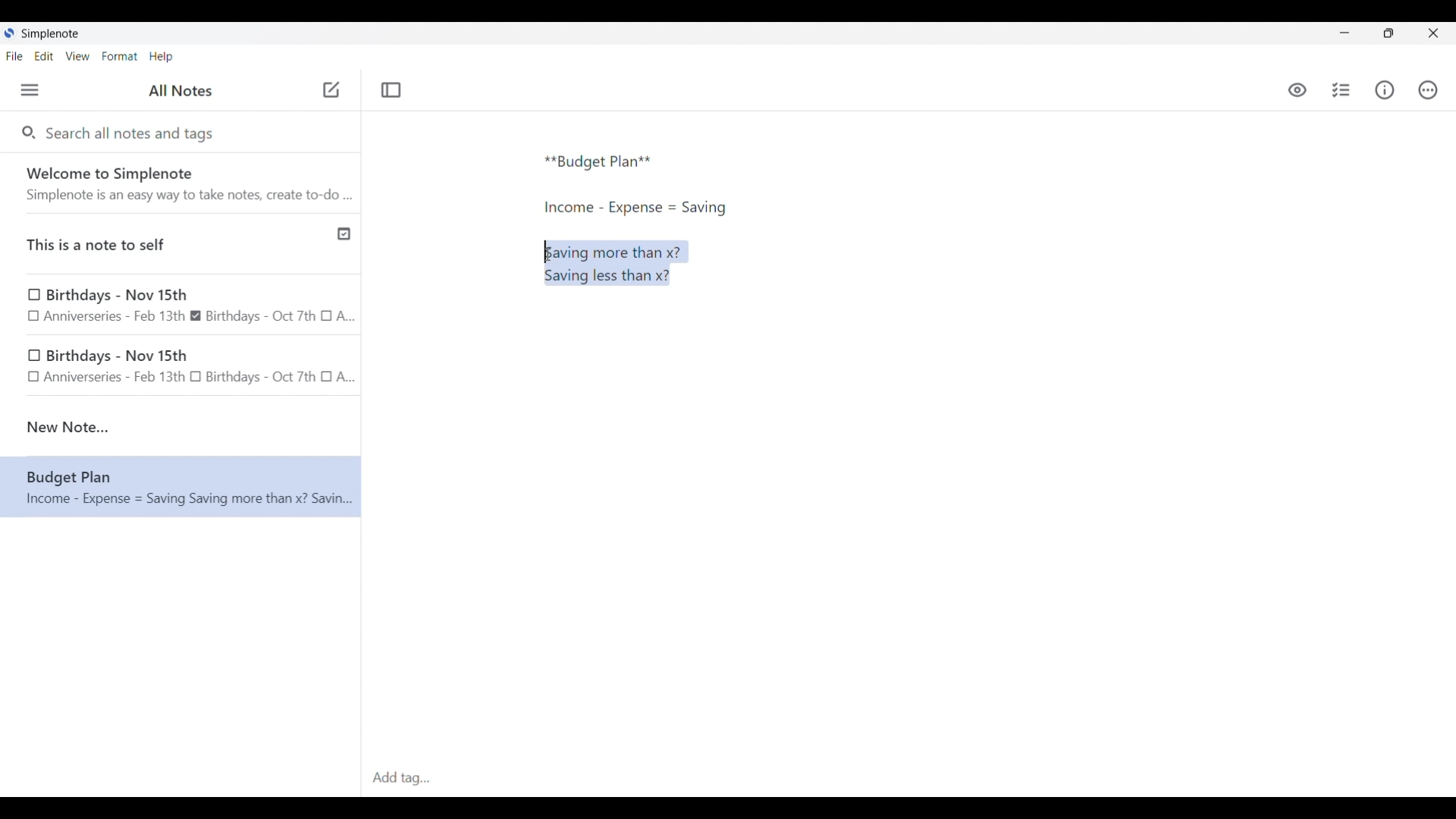 The width and height of the screenshot is (1456, 819). Describe the element at coordinates (180, 427) in the screenshot. I see `new note` at that location.